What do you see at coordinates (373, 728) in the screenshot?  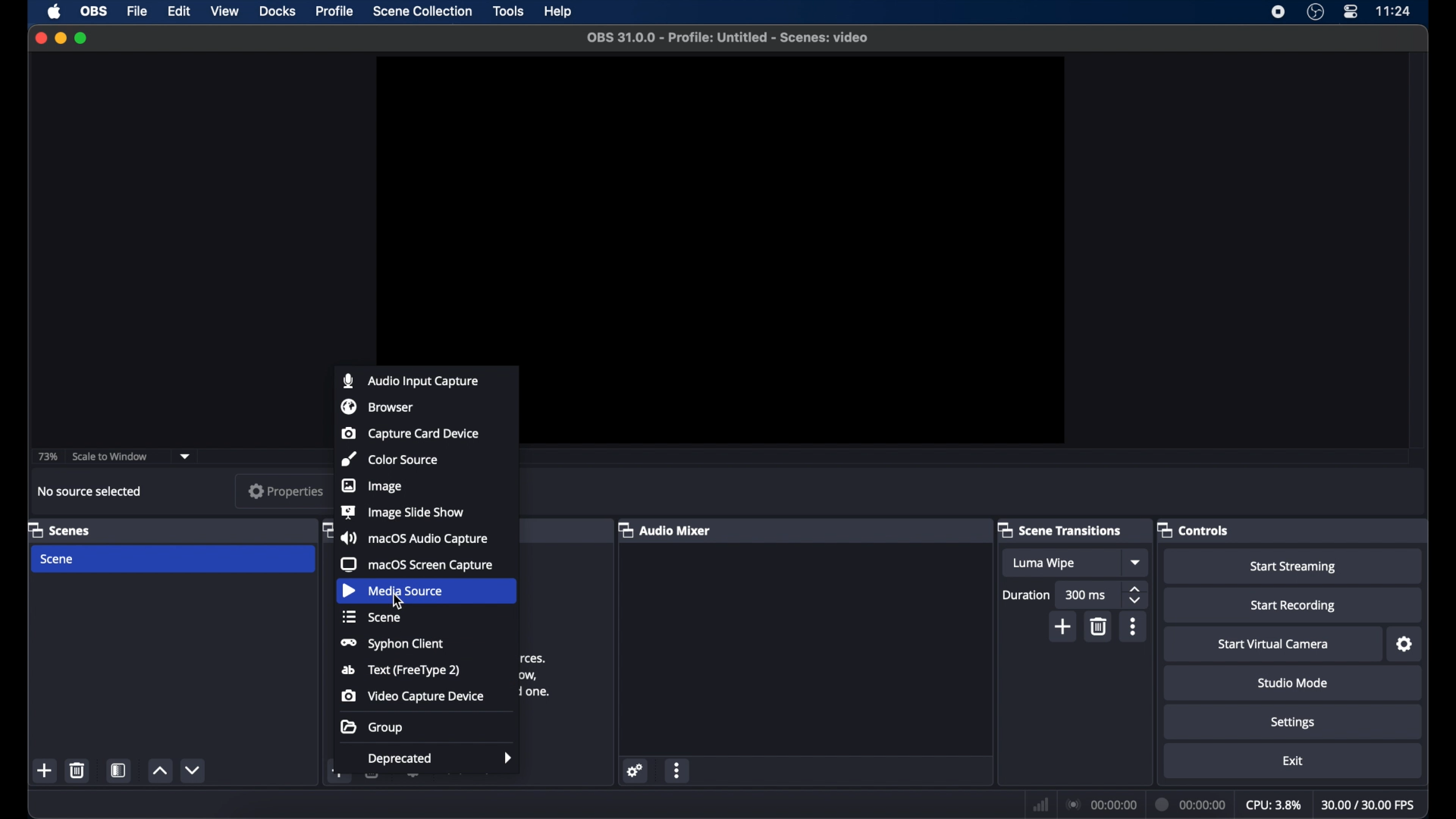 I see `group ` at bounding box center [373, 728].